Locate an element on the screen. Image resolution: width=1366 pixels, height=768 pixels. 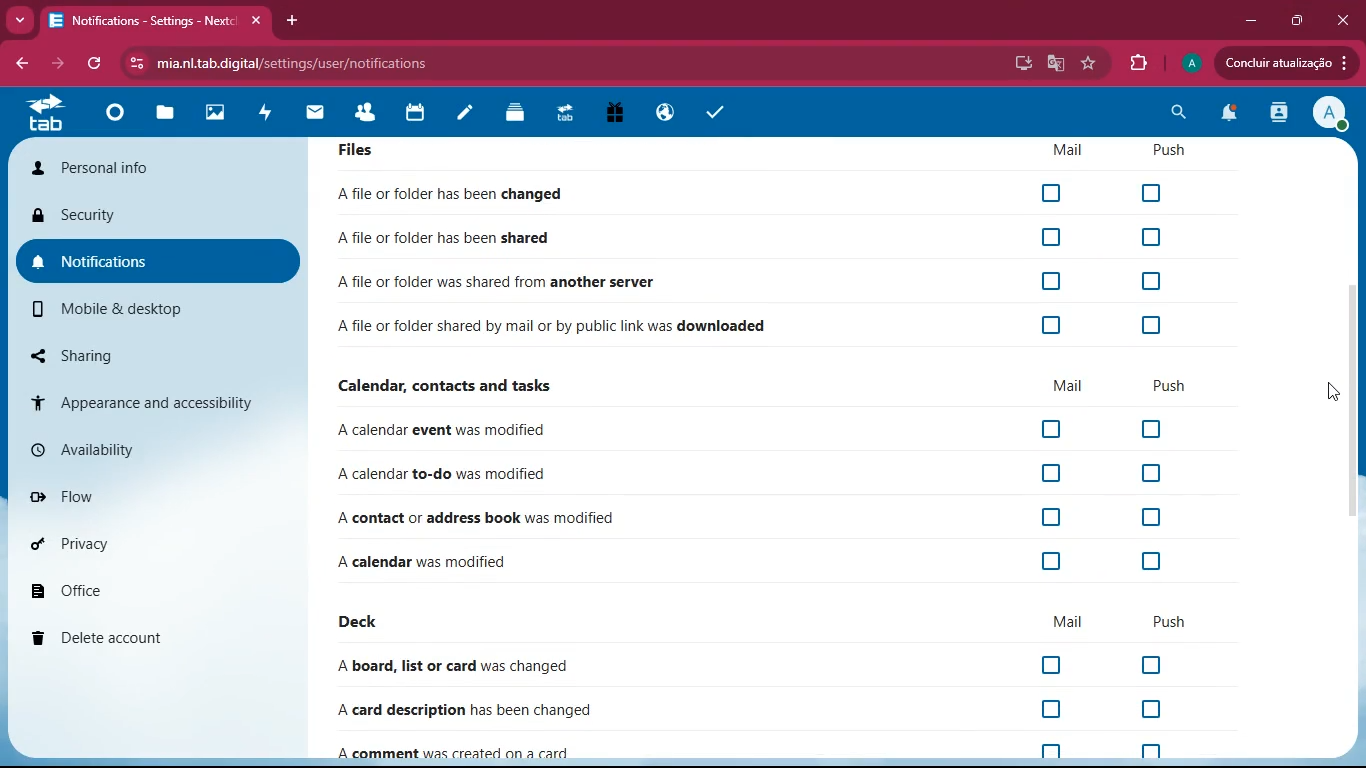
security is located at coordinates (149, 213).